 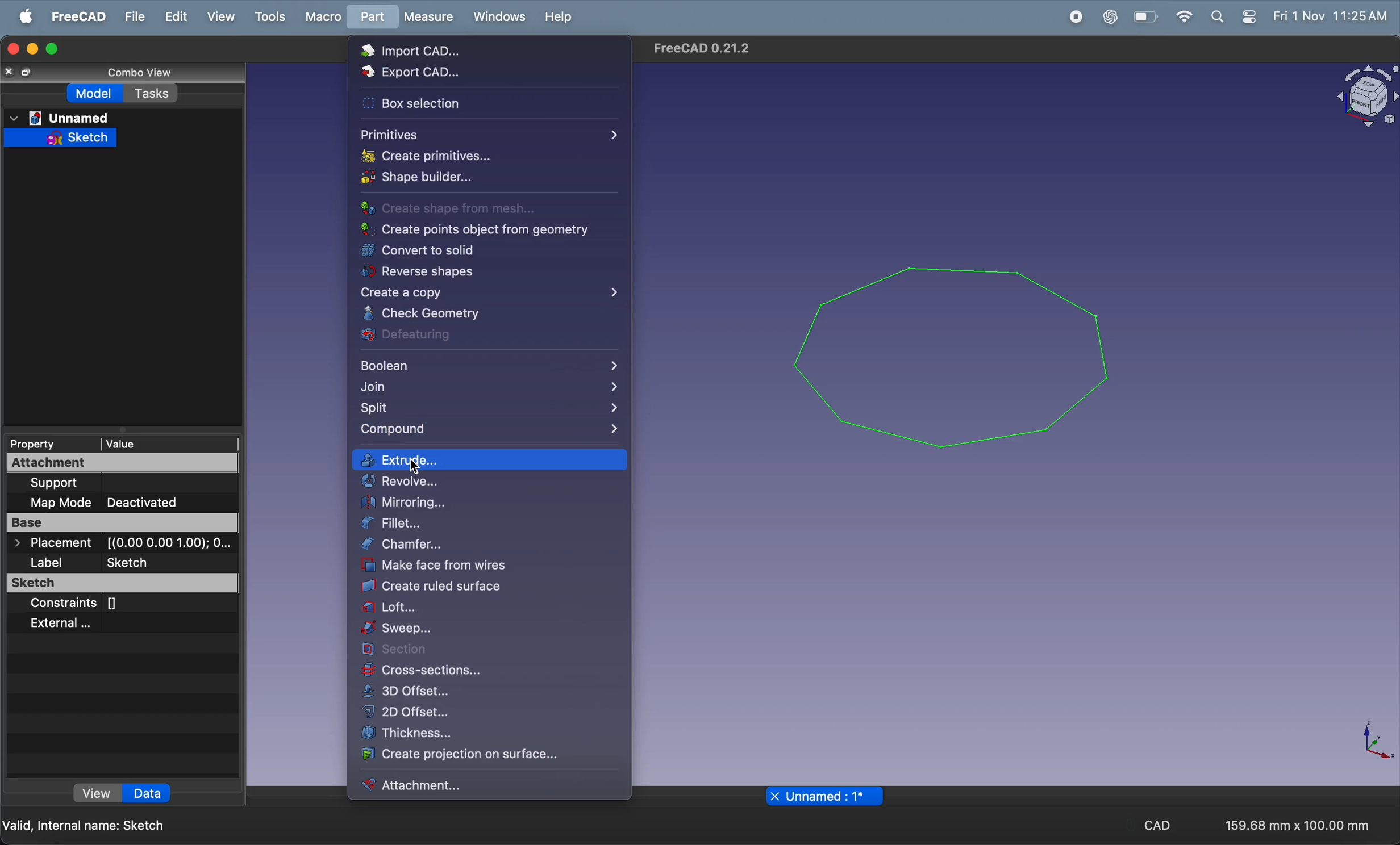 What do you see at coordinates (111, 464) in the screenshot?
I see `attachment` at bounding box center [111, 464].